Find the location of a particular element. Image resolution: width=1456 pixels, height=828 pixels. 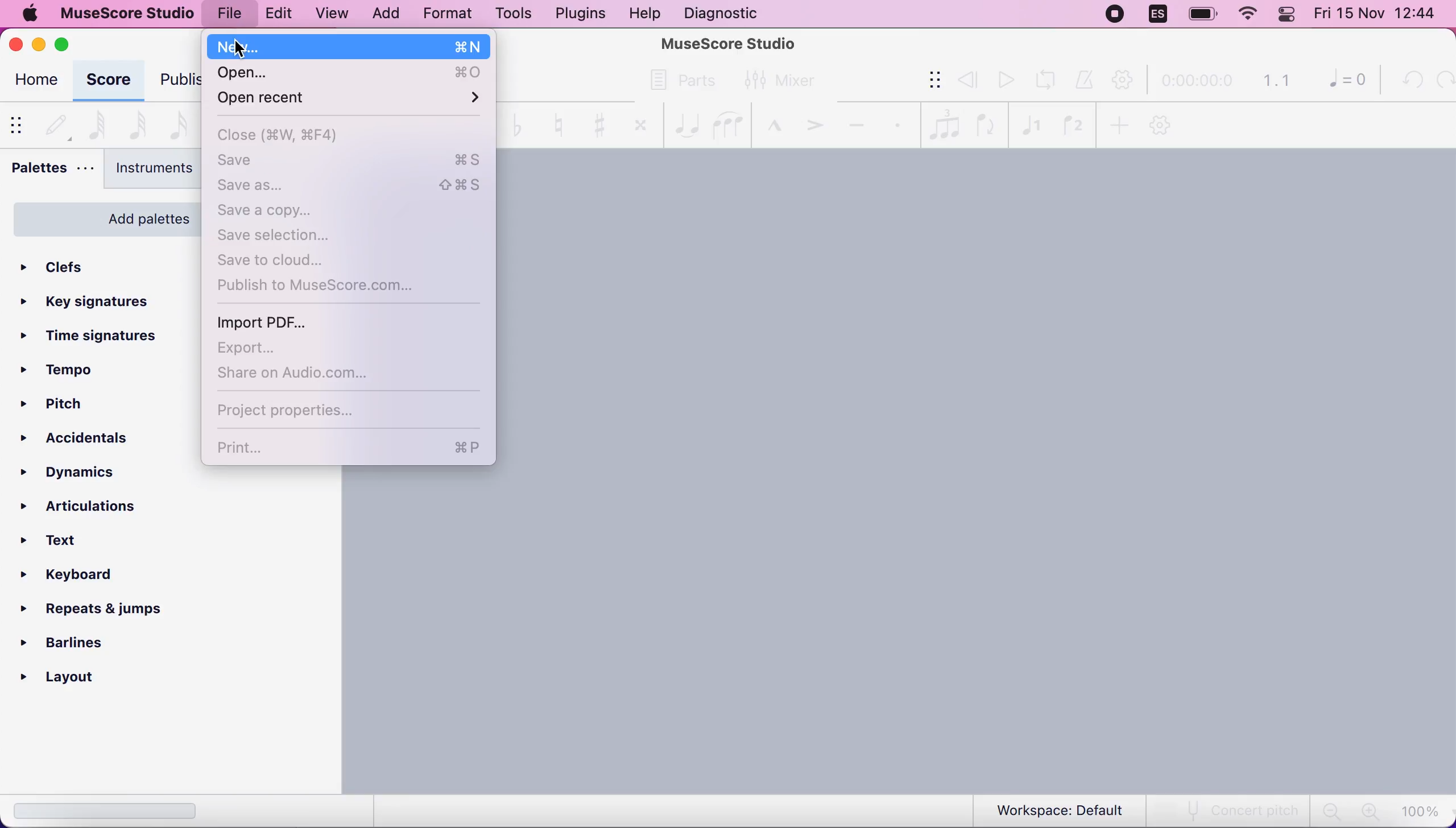

recording stopped is located at coordinates (1114, 14).